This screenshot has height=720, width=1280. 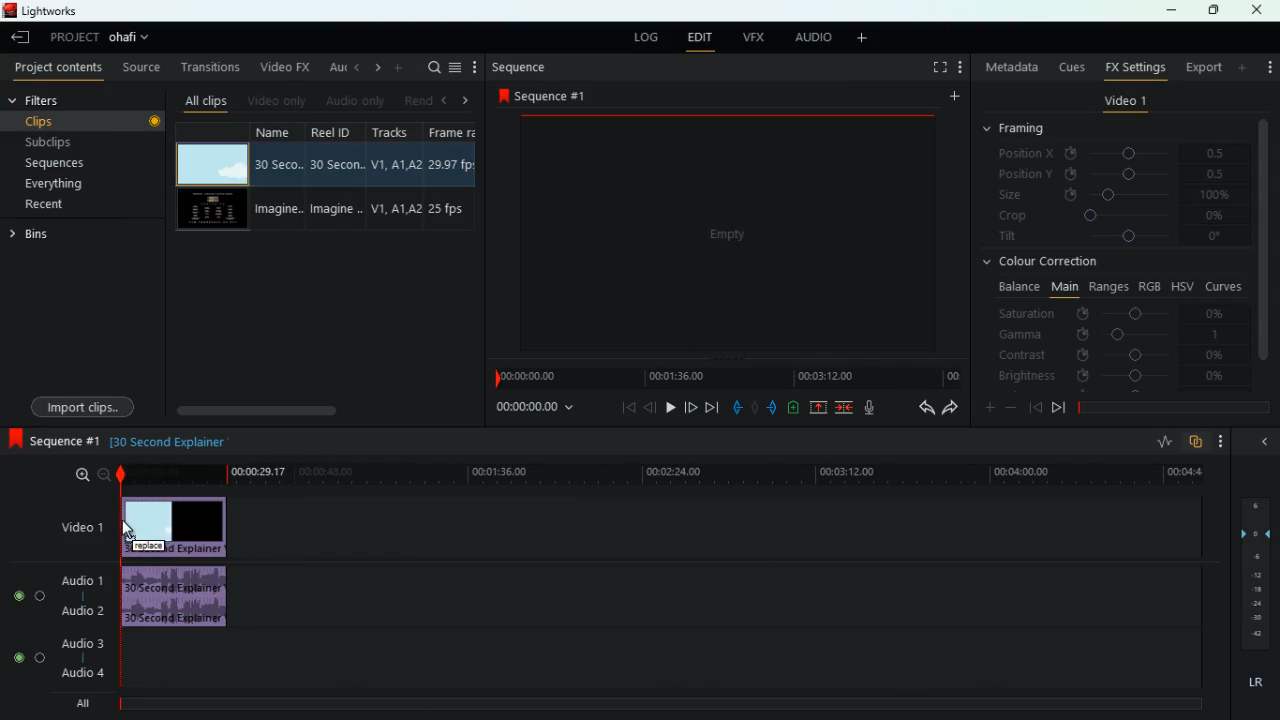 What do you see at coordinates (50, 101) in the screenshot?
I see `filters` at bounding box center [50, 101].